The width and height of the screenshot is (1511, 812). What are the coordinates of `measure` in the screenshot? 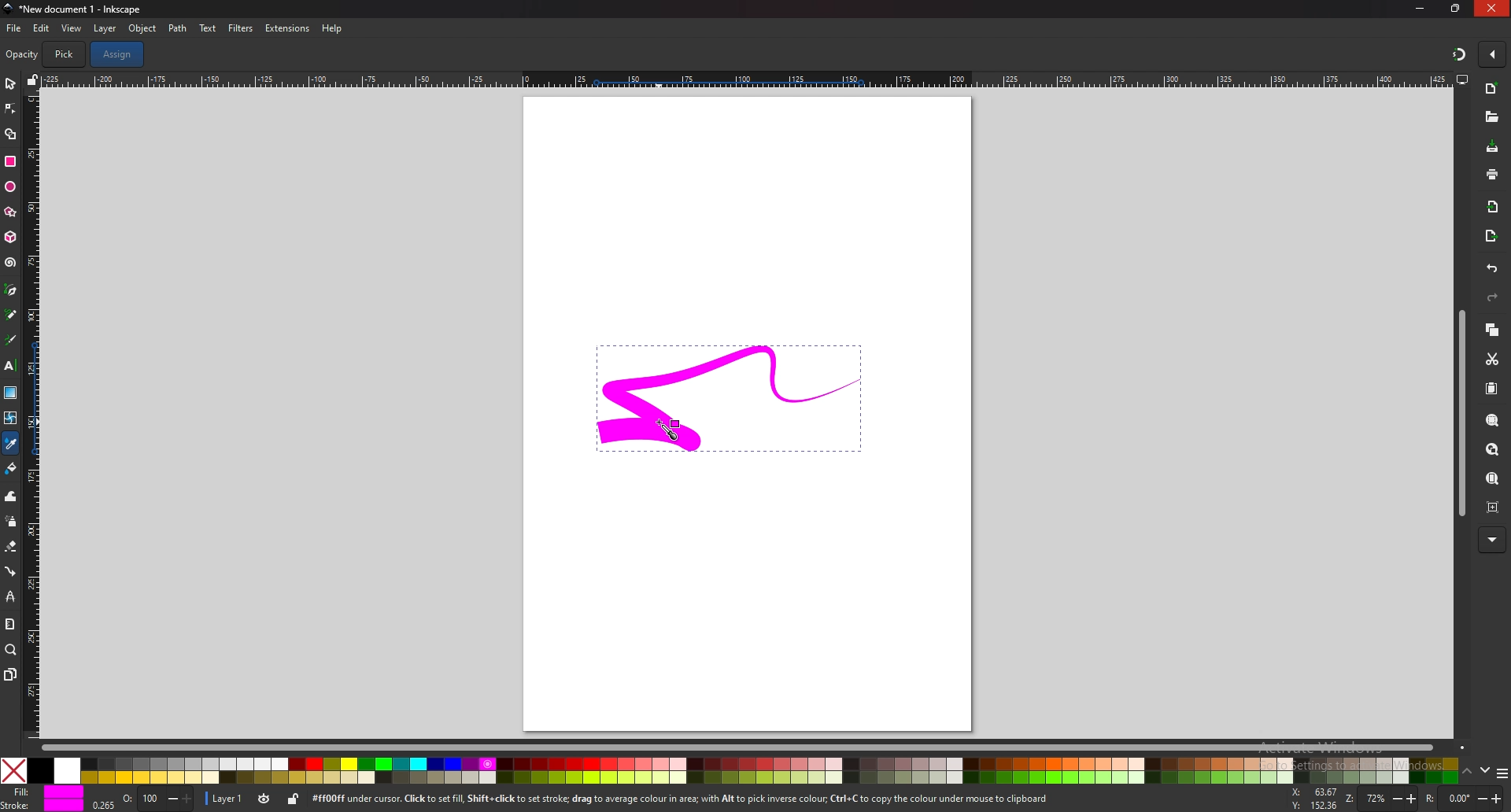 It's located at (10, 623).